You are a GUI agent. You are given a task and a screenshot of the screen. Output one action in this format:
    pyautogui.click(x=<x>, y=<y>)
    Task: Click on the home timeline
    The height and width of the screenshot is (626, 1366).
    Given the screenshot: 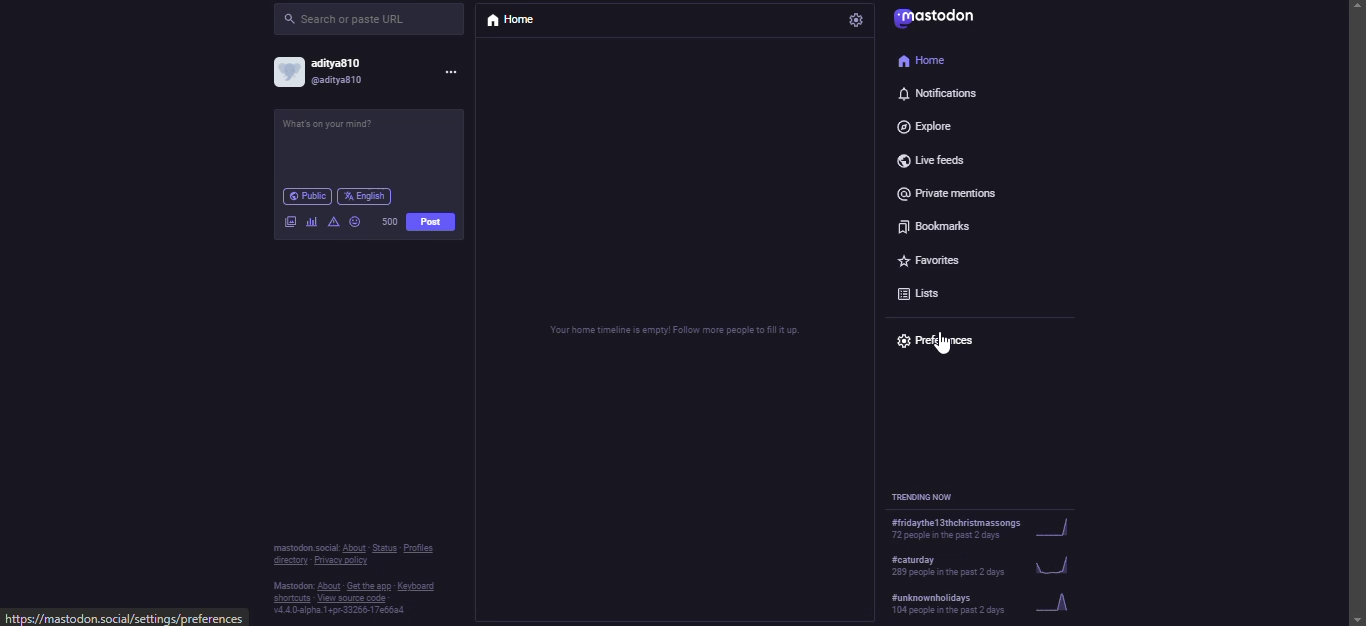 What is the action you would take?
    pyautogui.click(x=673, y=330)
    